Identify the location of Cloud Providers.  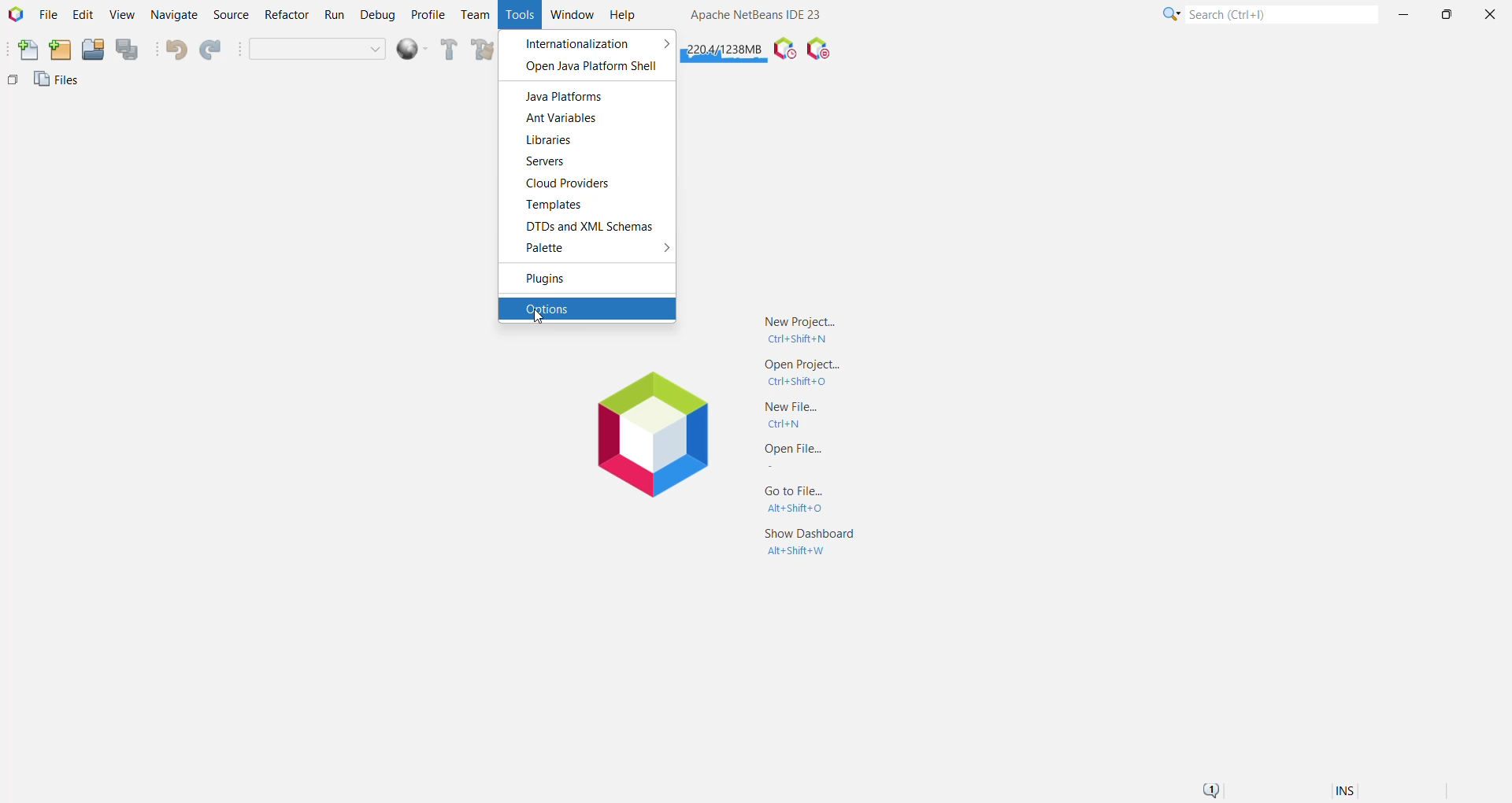
(568, 184).